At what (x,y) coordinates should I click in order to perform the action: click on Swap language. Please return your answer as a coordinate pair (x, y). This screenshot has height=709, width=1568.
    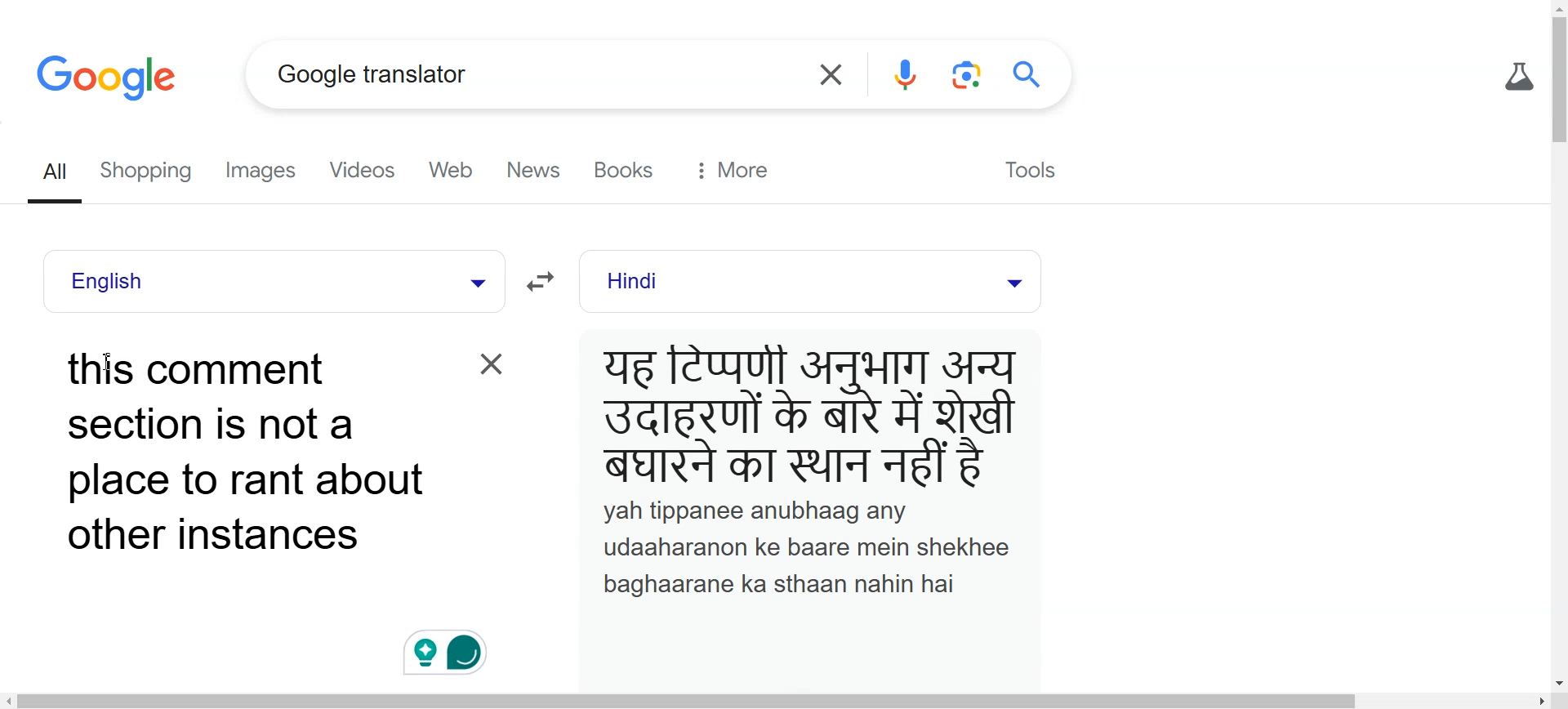
    Looking at the image, I should click on (545, 282).